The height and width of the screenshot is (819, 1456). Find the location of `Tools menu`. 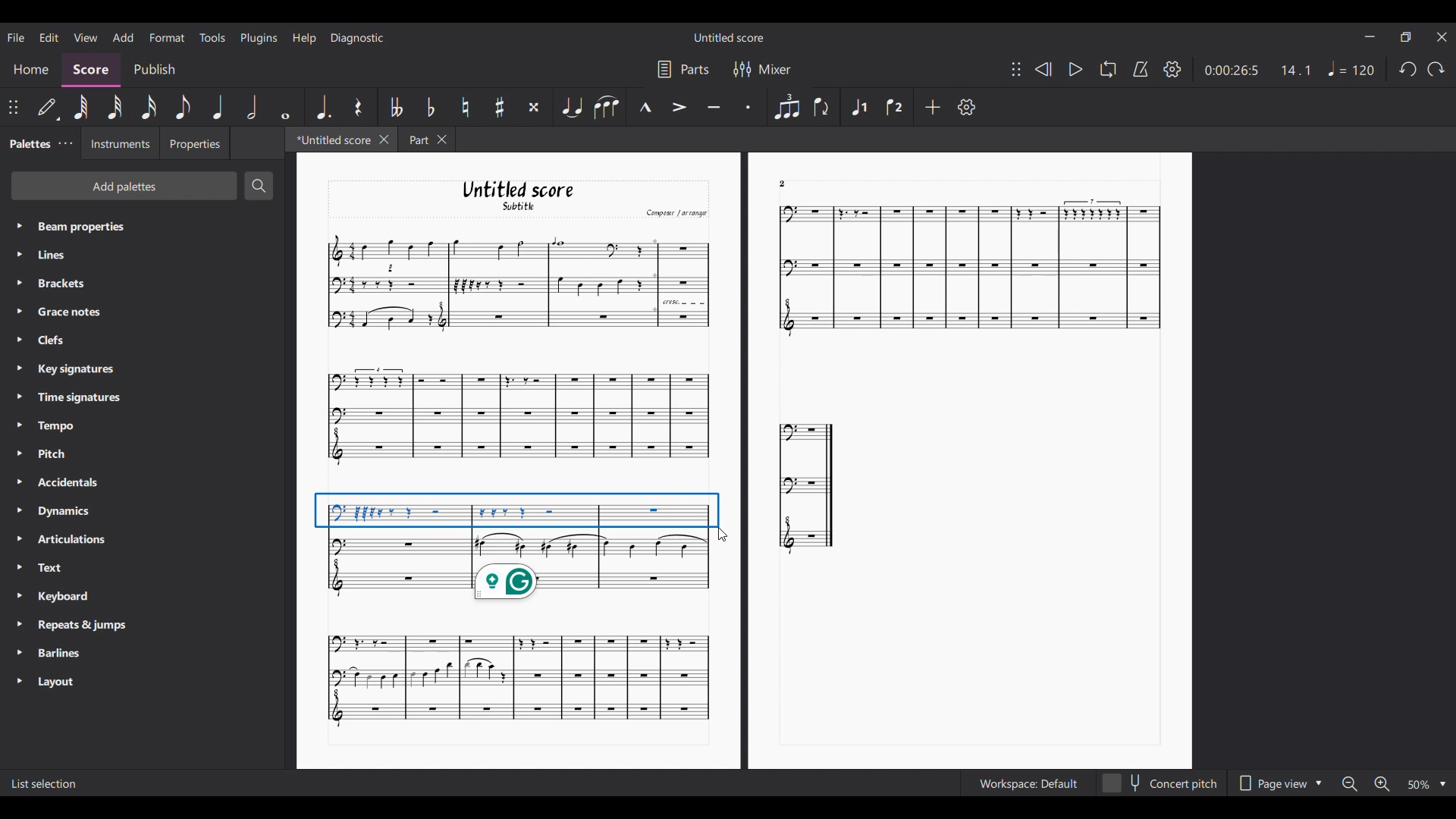

Tools menu is located at coordinates (212, 37).